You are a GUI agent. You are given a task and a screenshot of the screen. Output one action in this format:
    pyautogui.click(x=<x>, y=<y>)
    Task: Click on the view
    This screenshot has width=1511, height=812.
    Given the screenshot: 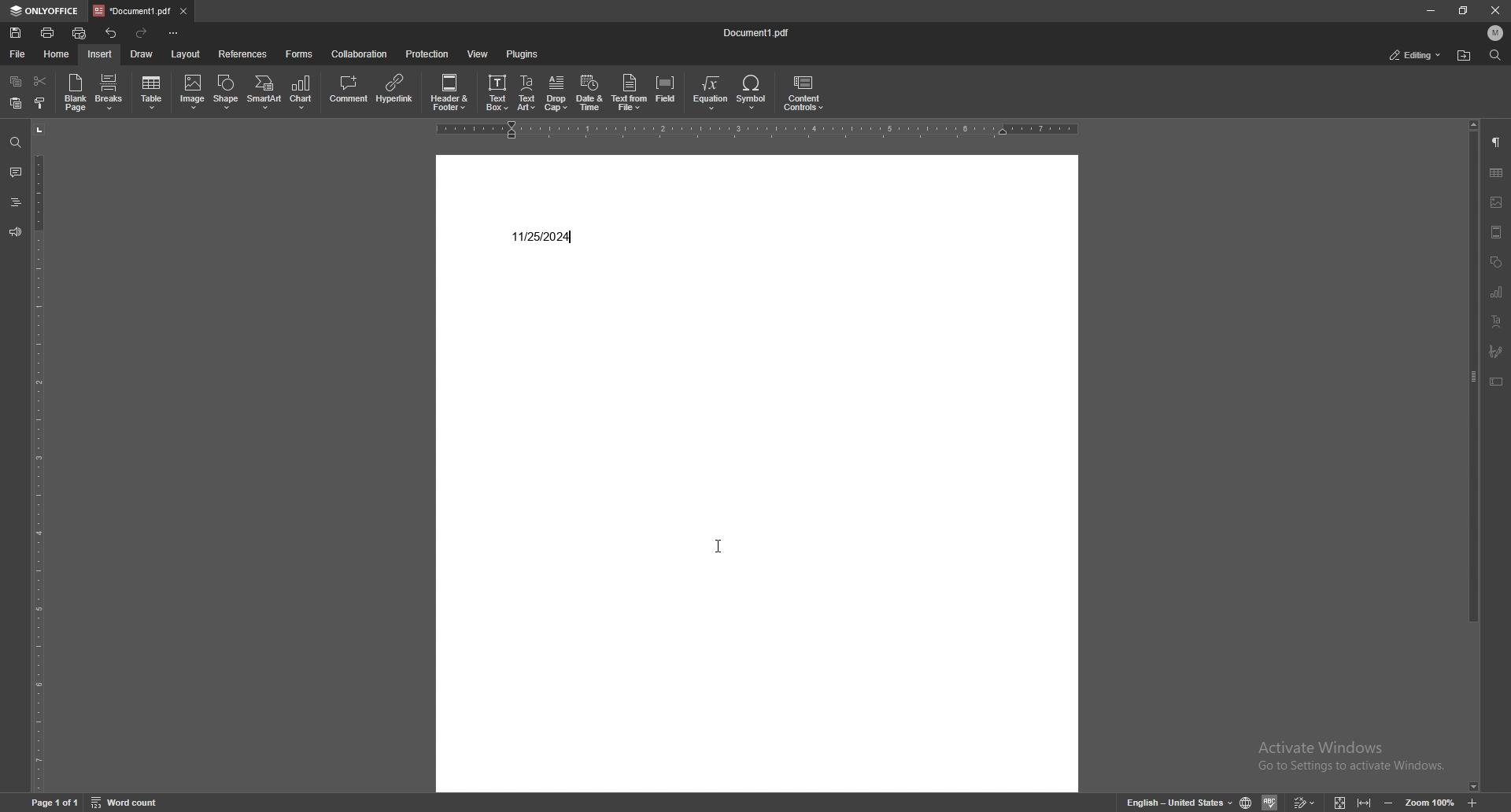 What is the action you would take?
    pyautogui.click(x=478, y=54)
    